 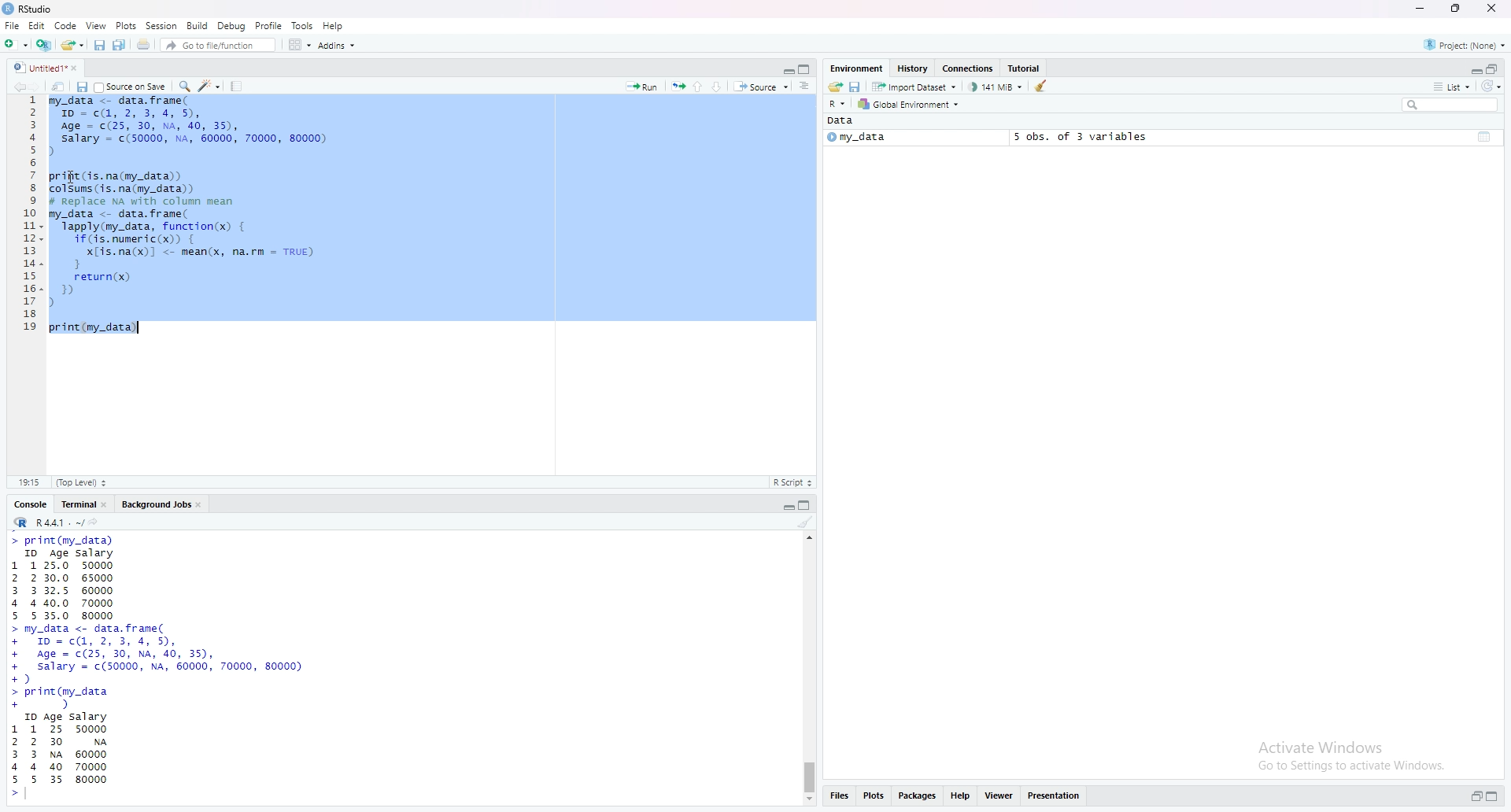 What do you see at coordinates (1337, 755) in the screenshot?
I see `Activate windows Go to Settings to activate windows` at bounding box center [1337, 755].